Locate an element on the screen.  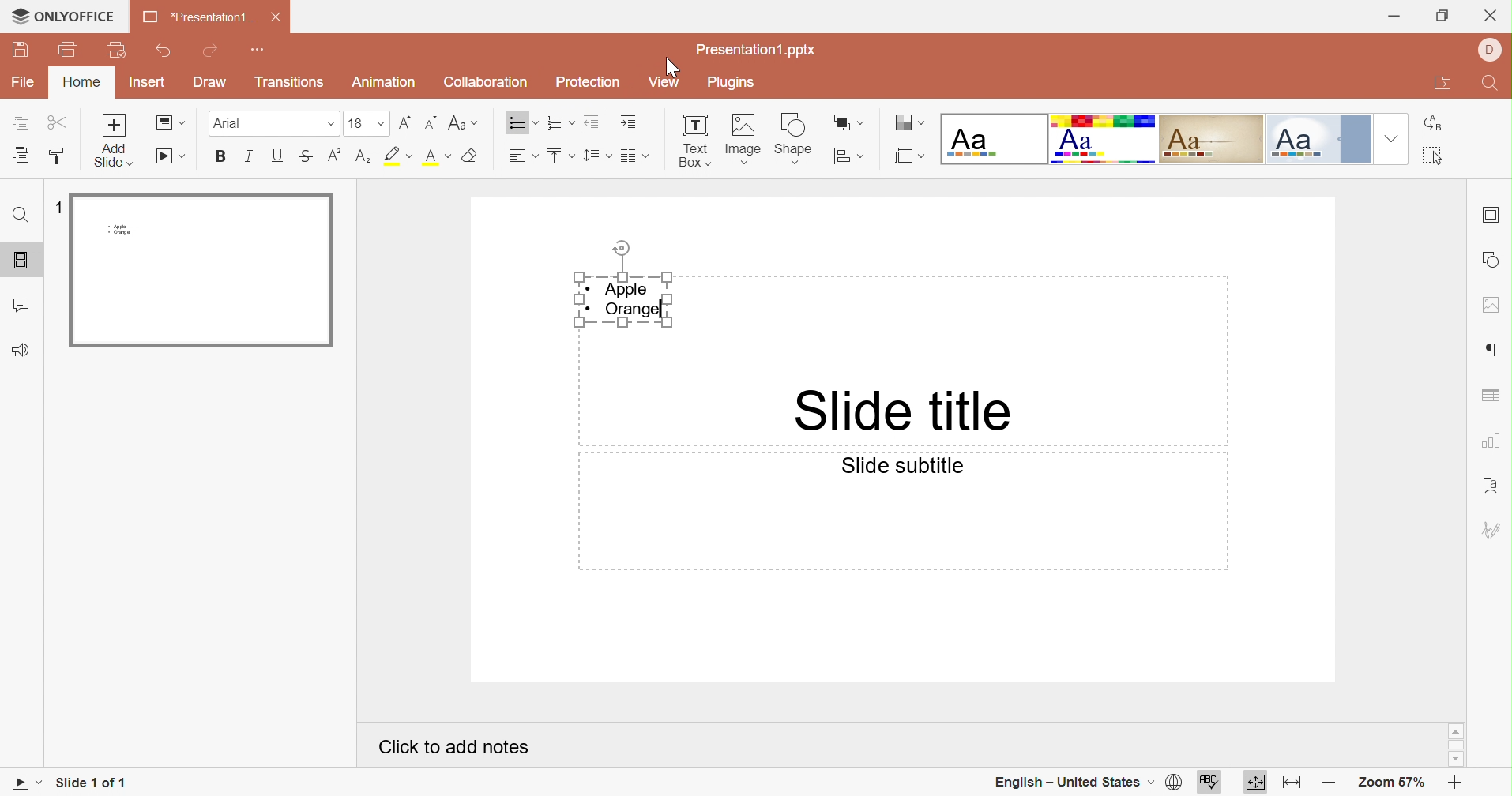
Numbering is located at coordinates (553, 123).